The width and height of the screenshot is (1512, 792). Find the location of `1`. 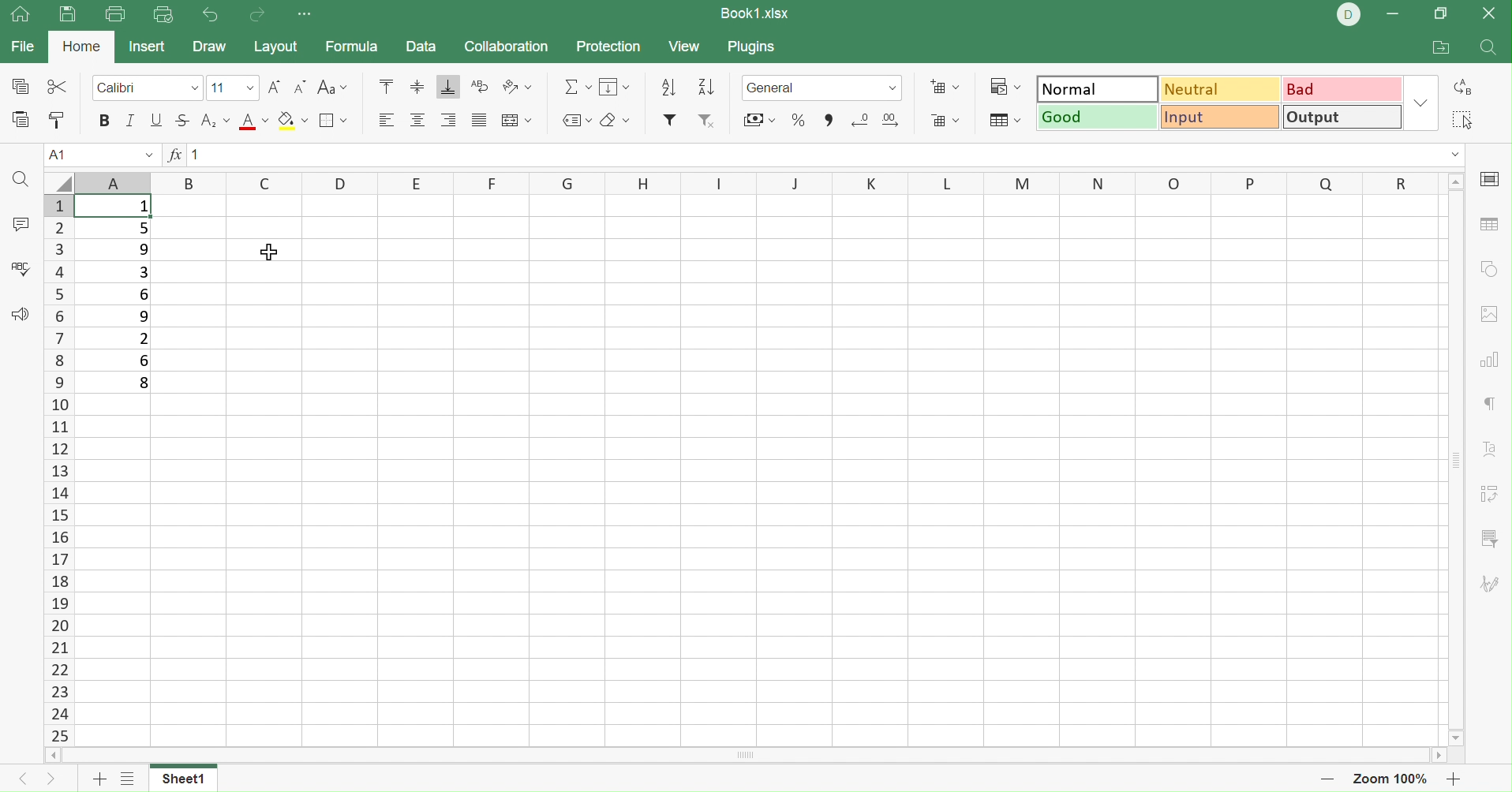

1 is located at coordinates (144, 209).